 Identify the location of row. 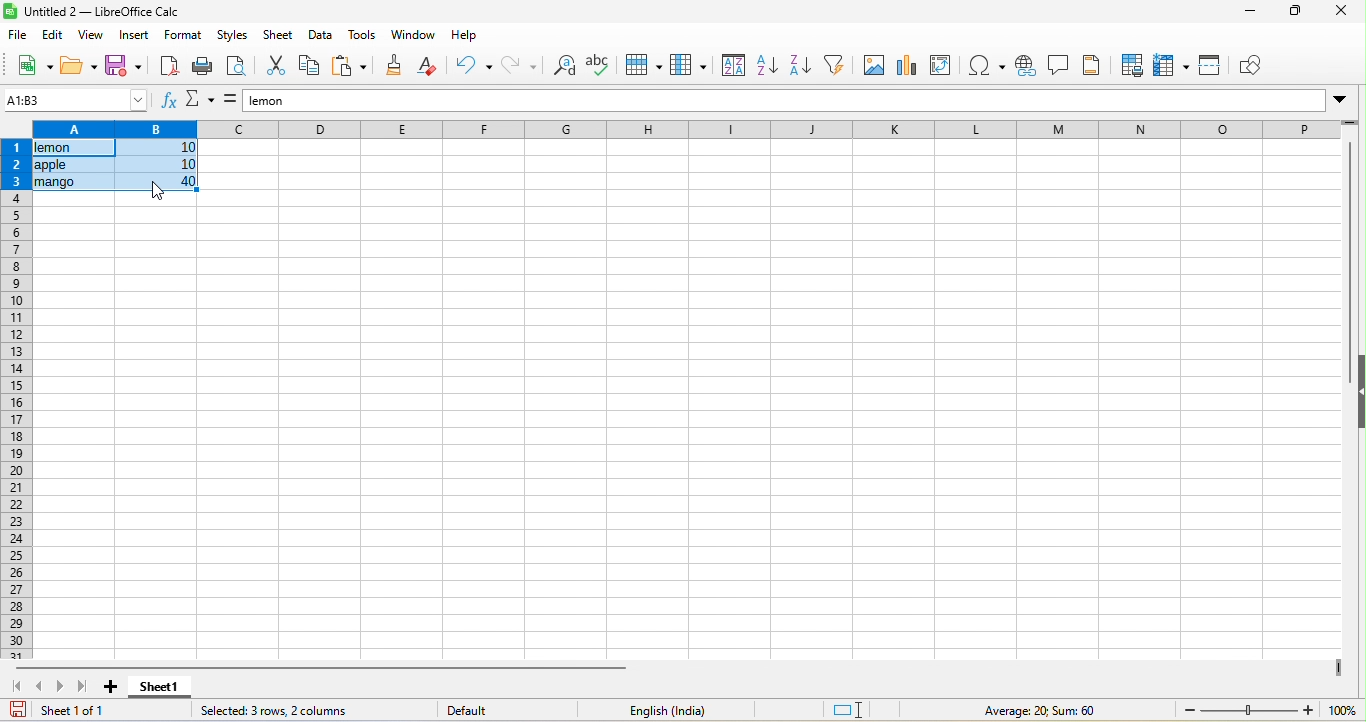
(648, 65).